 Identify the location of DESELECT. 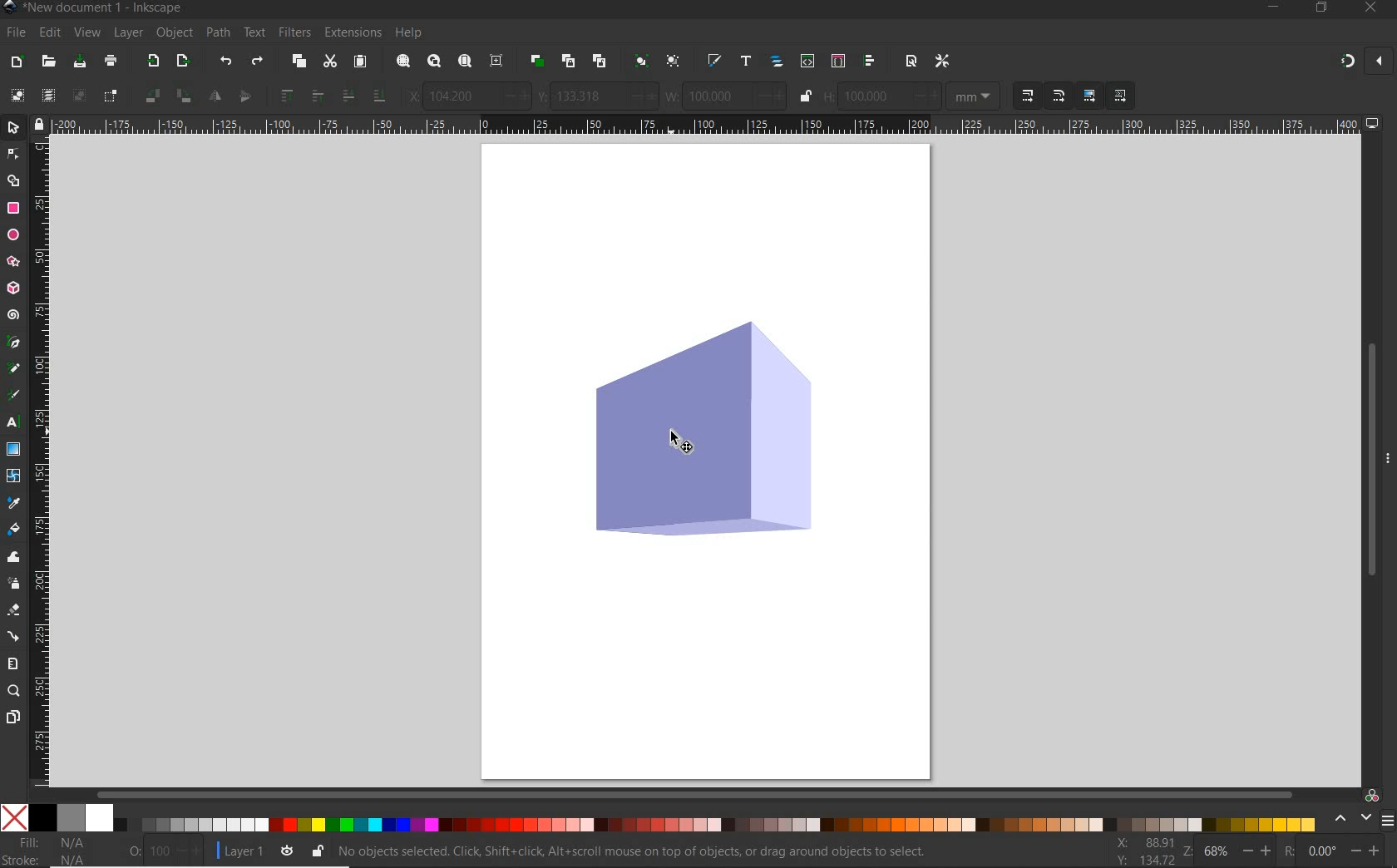
(79, 96).